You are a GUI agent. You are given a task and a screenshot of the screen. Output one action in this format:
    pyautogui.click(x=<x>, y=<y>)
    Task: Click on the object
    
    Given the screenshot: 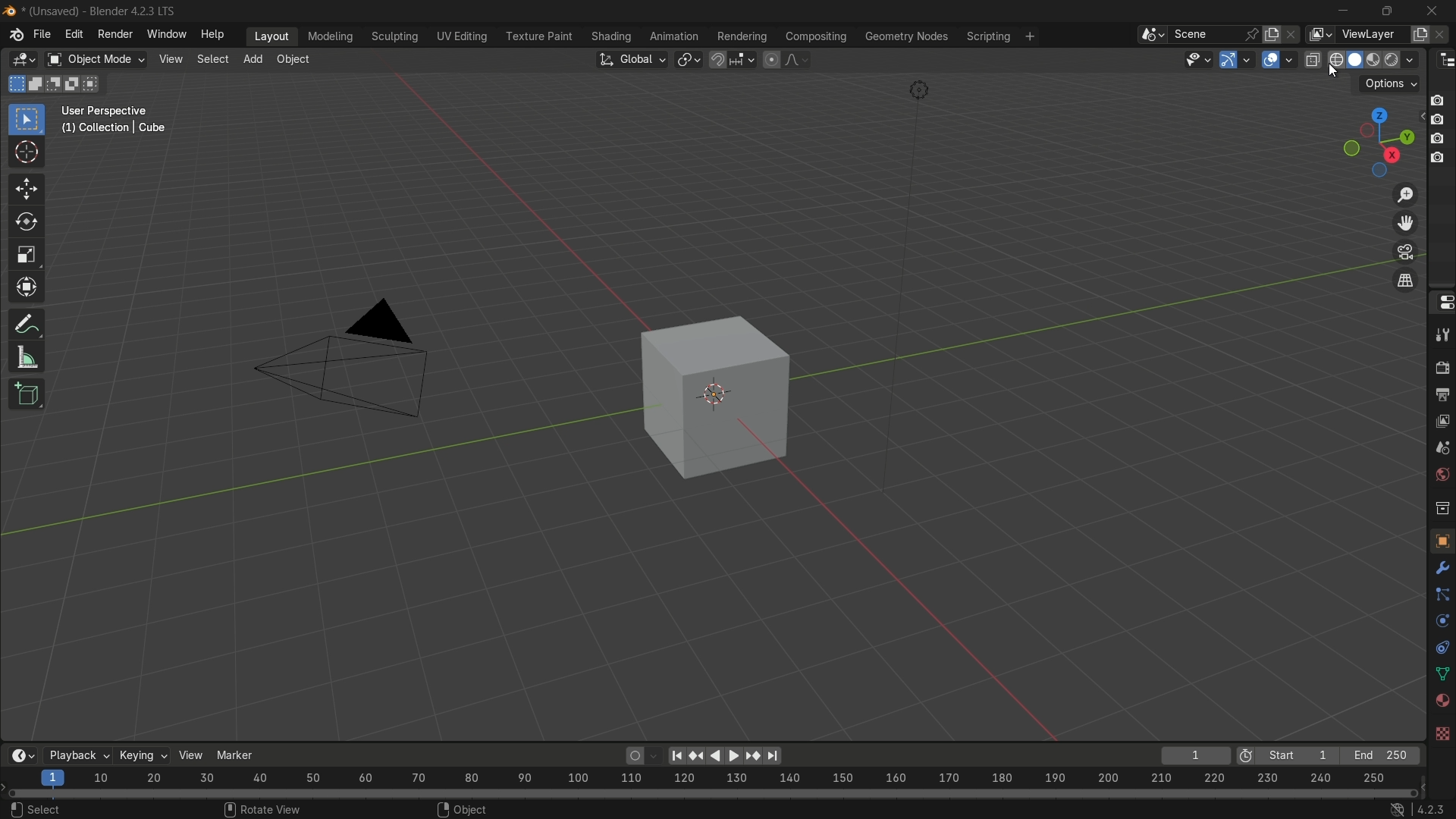 What is the action you would take?
    pyautogui.click(x=1442, y=537)
    